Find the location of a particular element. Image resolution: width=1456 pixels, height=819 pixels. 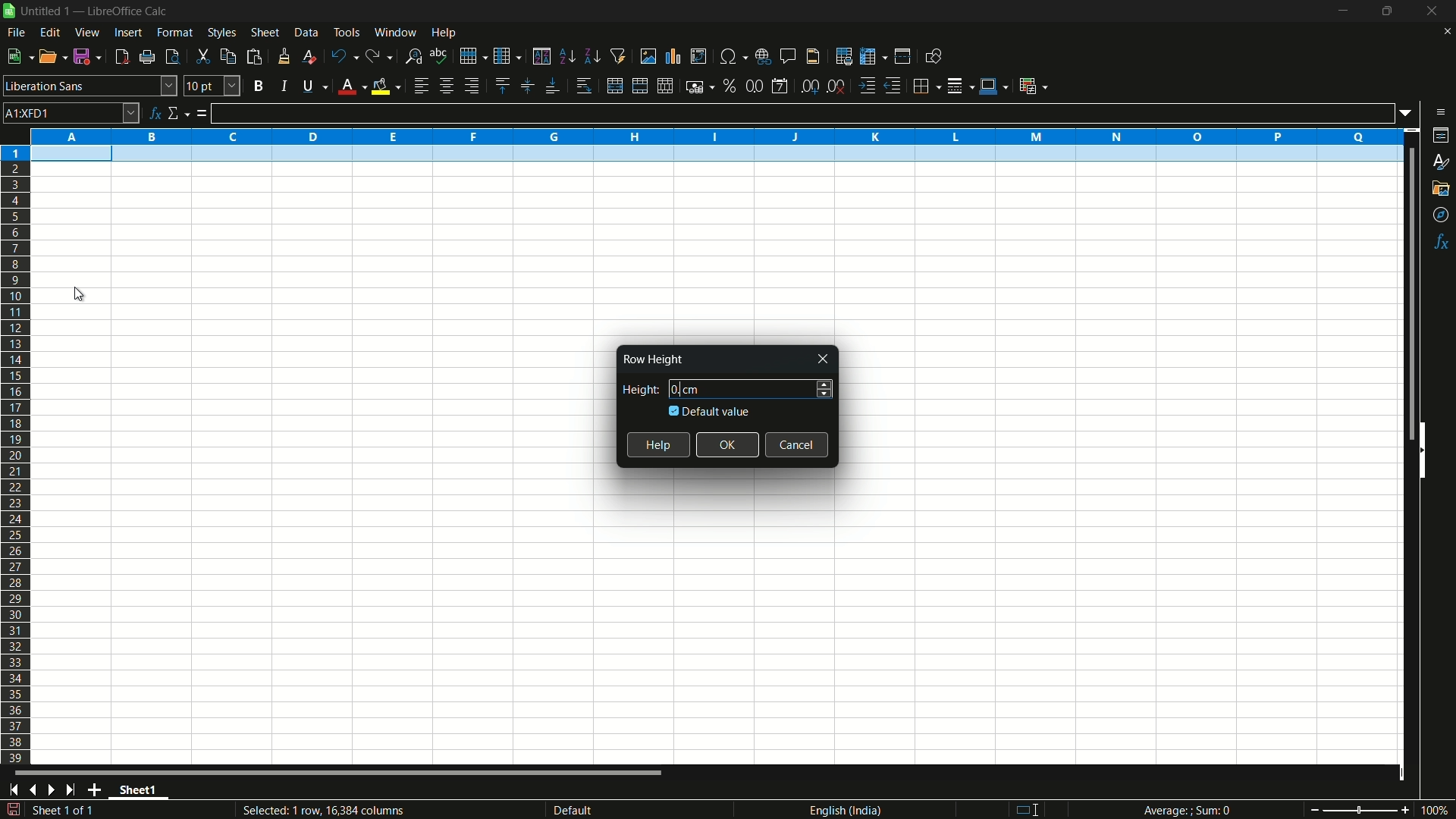

save is located at coordinates (89, 57).